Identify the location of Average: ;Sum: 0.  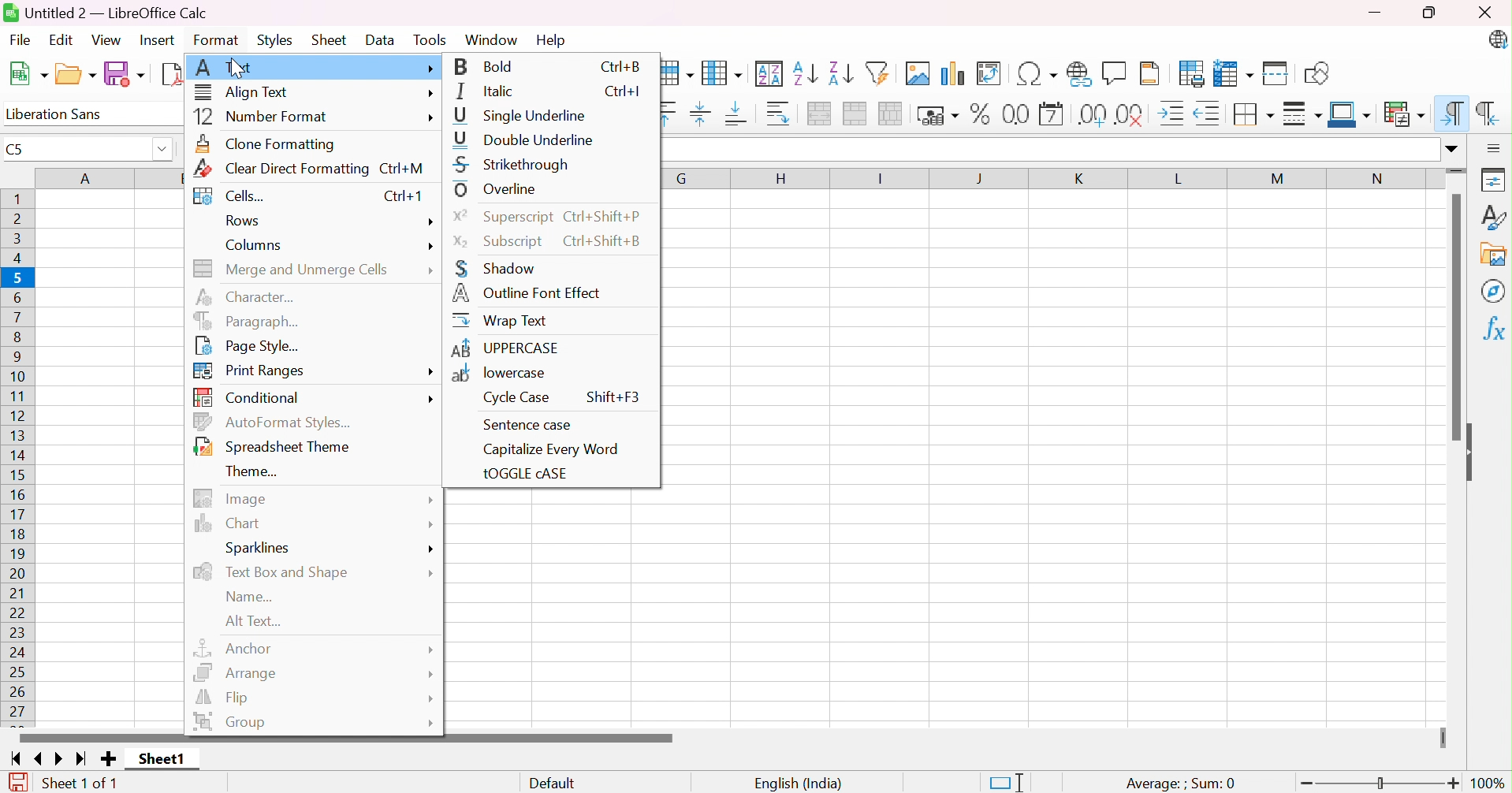
(1182, 784).